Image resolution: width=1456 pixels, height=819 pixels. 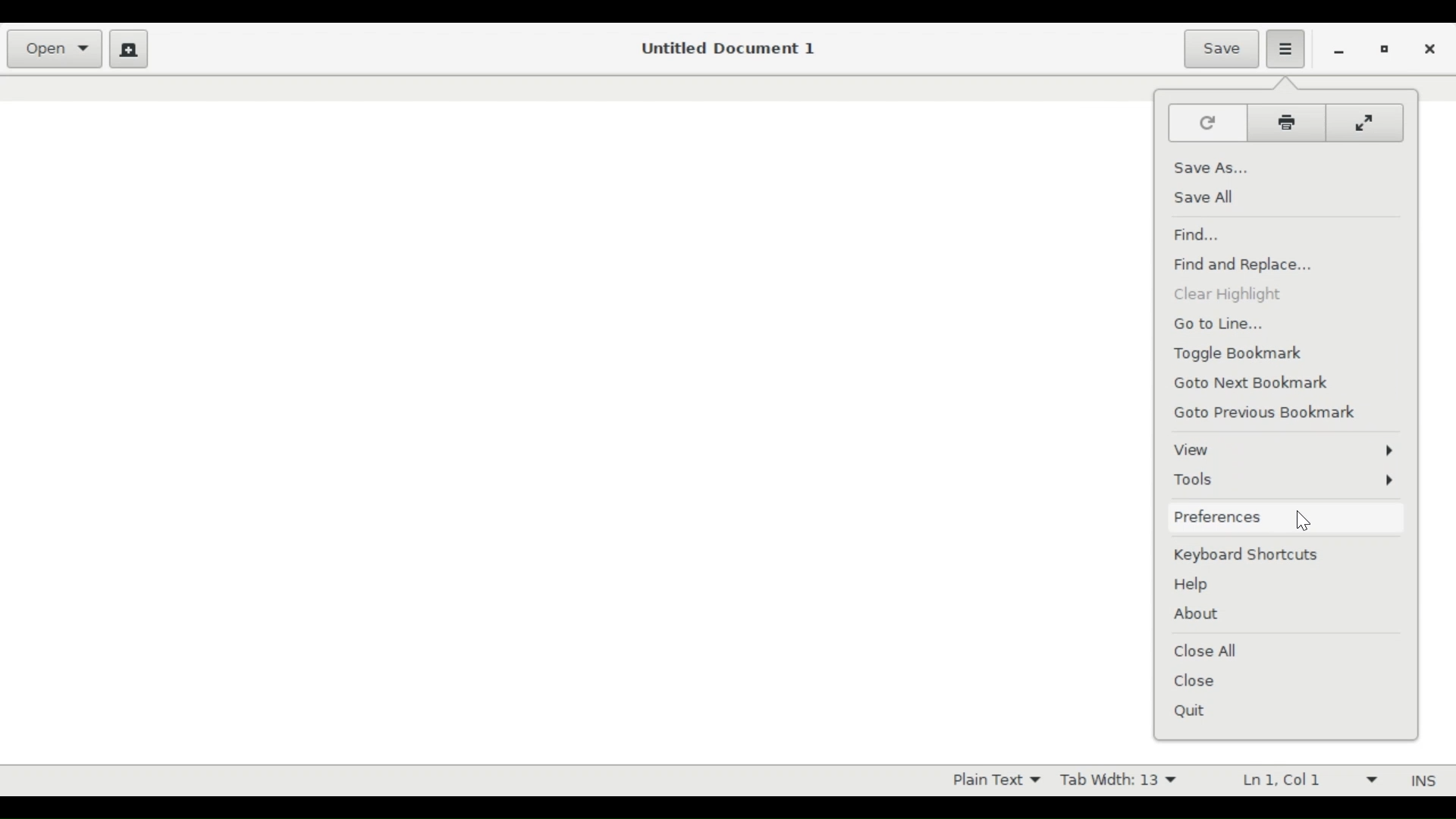 I want to click on Application menu, so click(x=1288, y=47).